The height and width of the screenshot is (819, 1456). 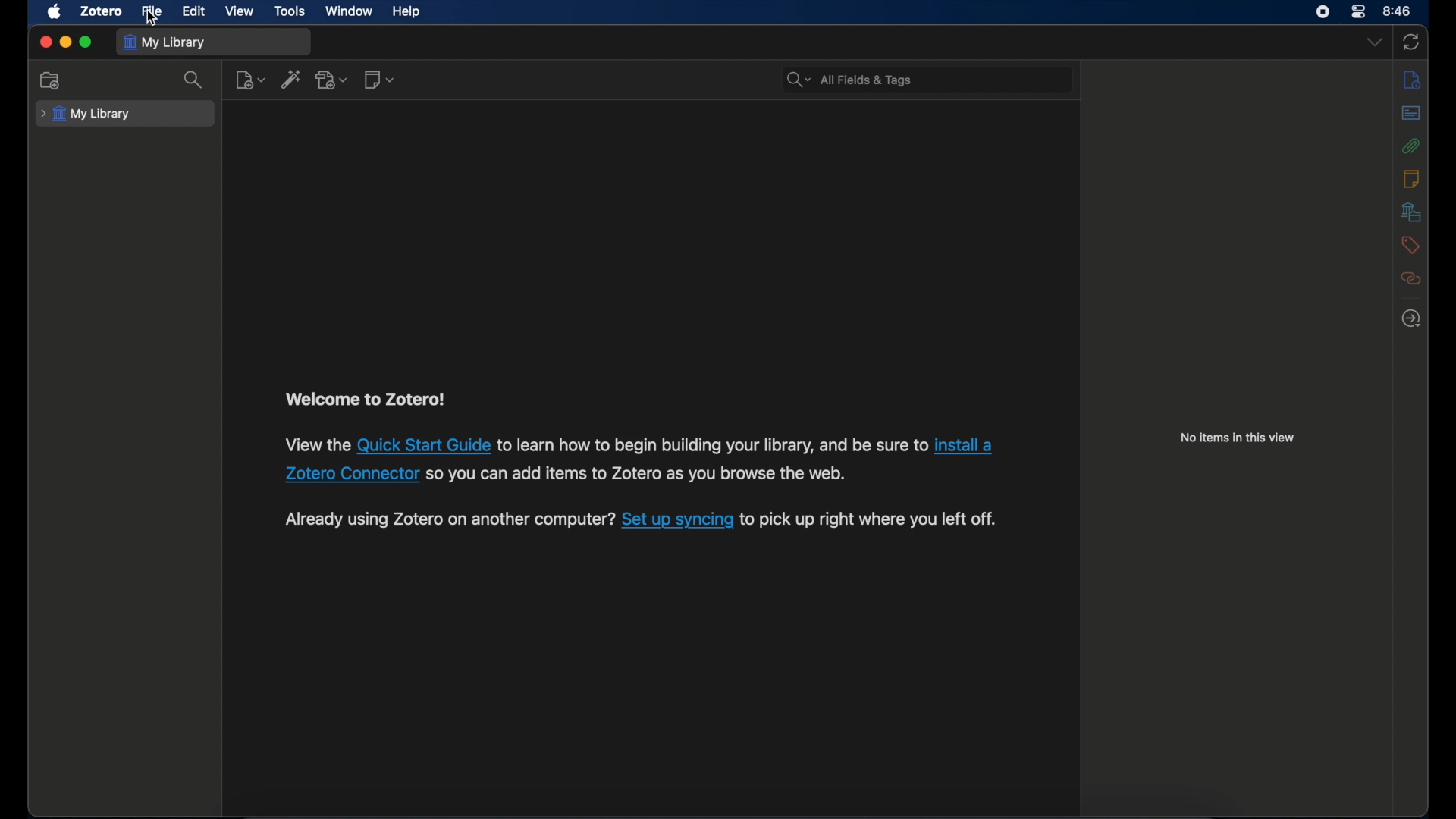 I want to click on search, so click(x=195, y=80).